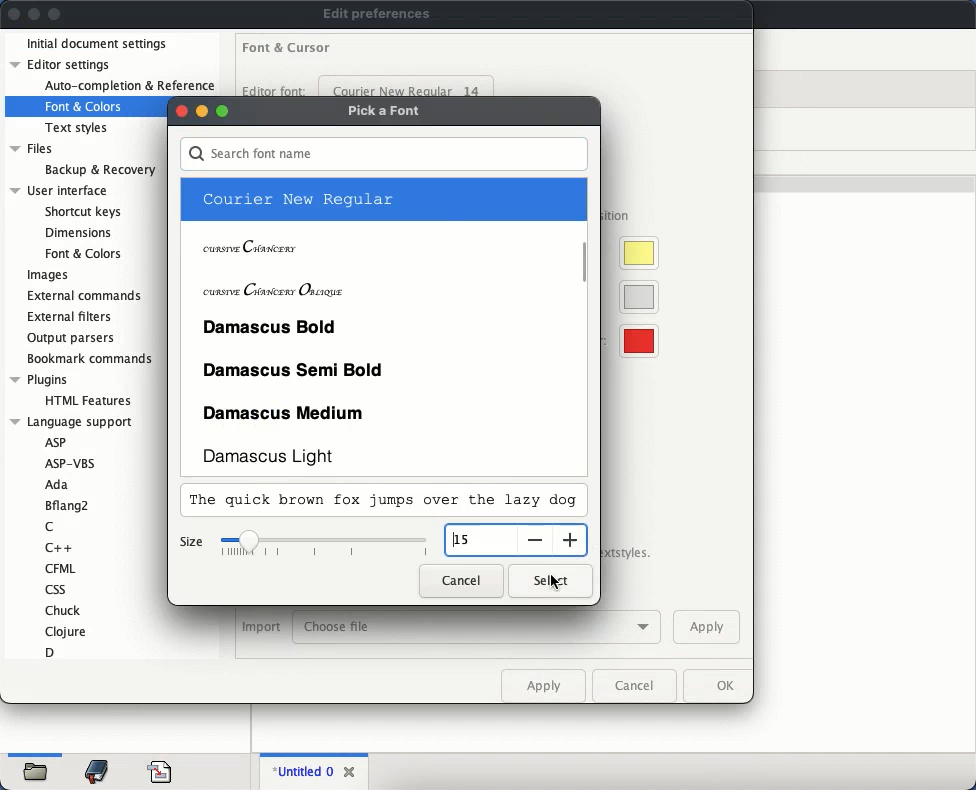 The width and height of the screenshot is (976, 790). What do you see at coordinates (275, 90) in the screenshot?
I see `editor font` at bounding box center [275, 90].